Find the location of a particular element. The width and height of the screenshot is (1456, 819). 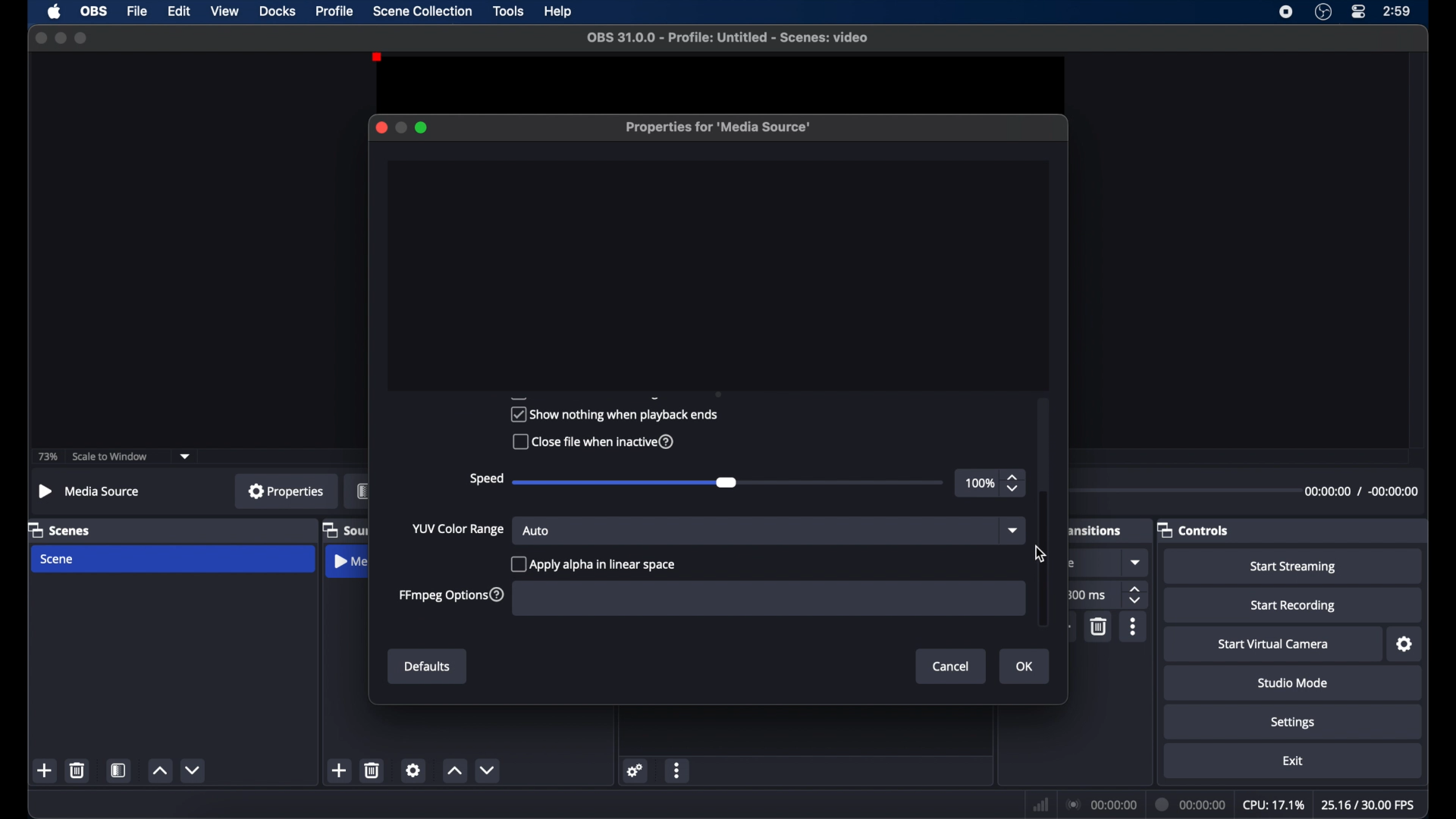

scene is located at coordinates (58, 560).